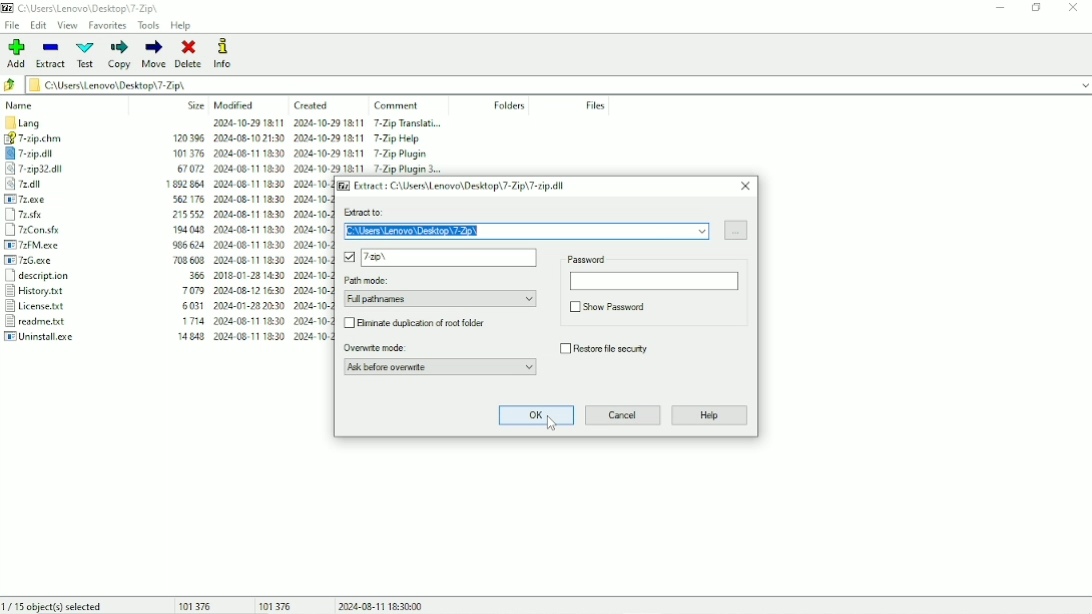 This screenshot has height=614, width=1092. I want to click on TON 2024-08-121&30 2026-70-291211 T-Zip History, so click(246, 291).